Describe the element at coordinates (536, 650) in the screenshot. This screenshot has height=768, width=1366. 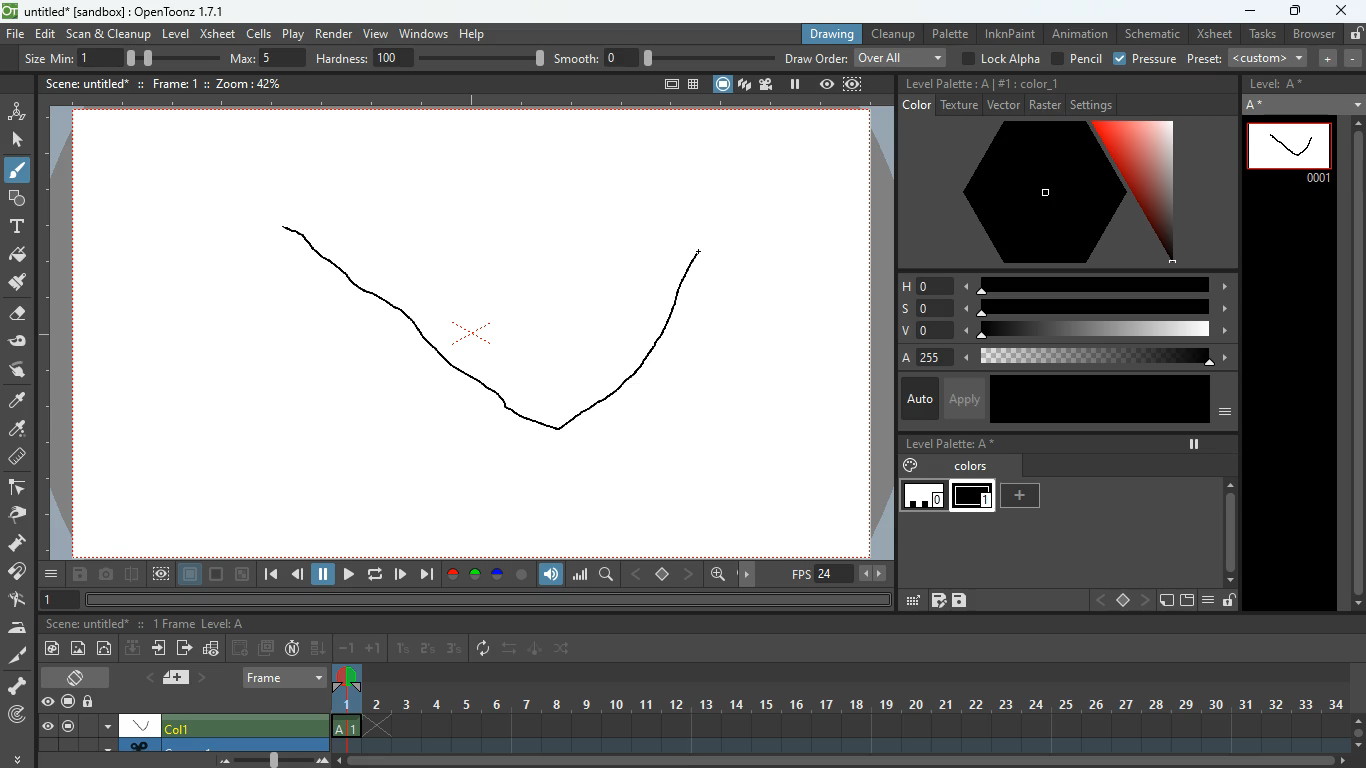
I see `animate` at that location.